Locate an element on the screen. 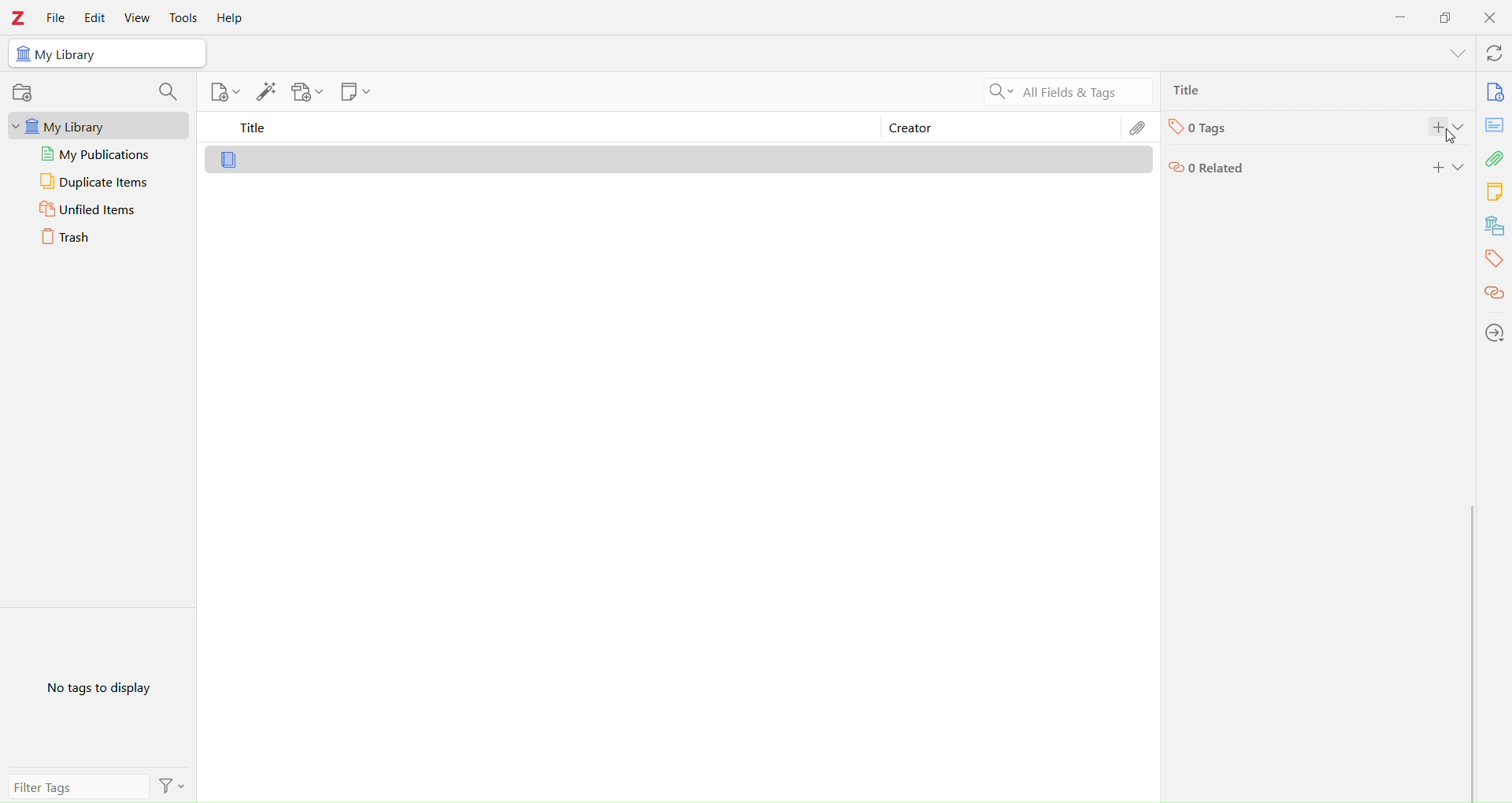 This screenshot has height=803, width=1512. Library is located at coordinates (446, 158).